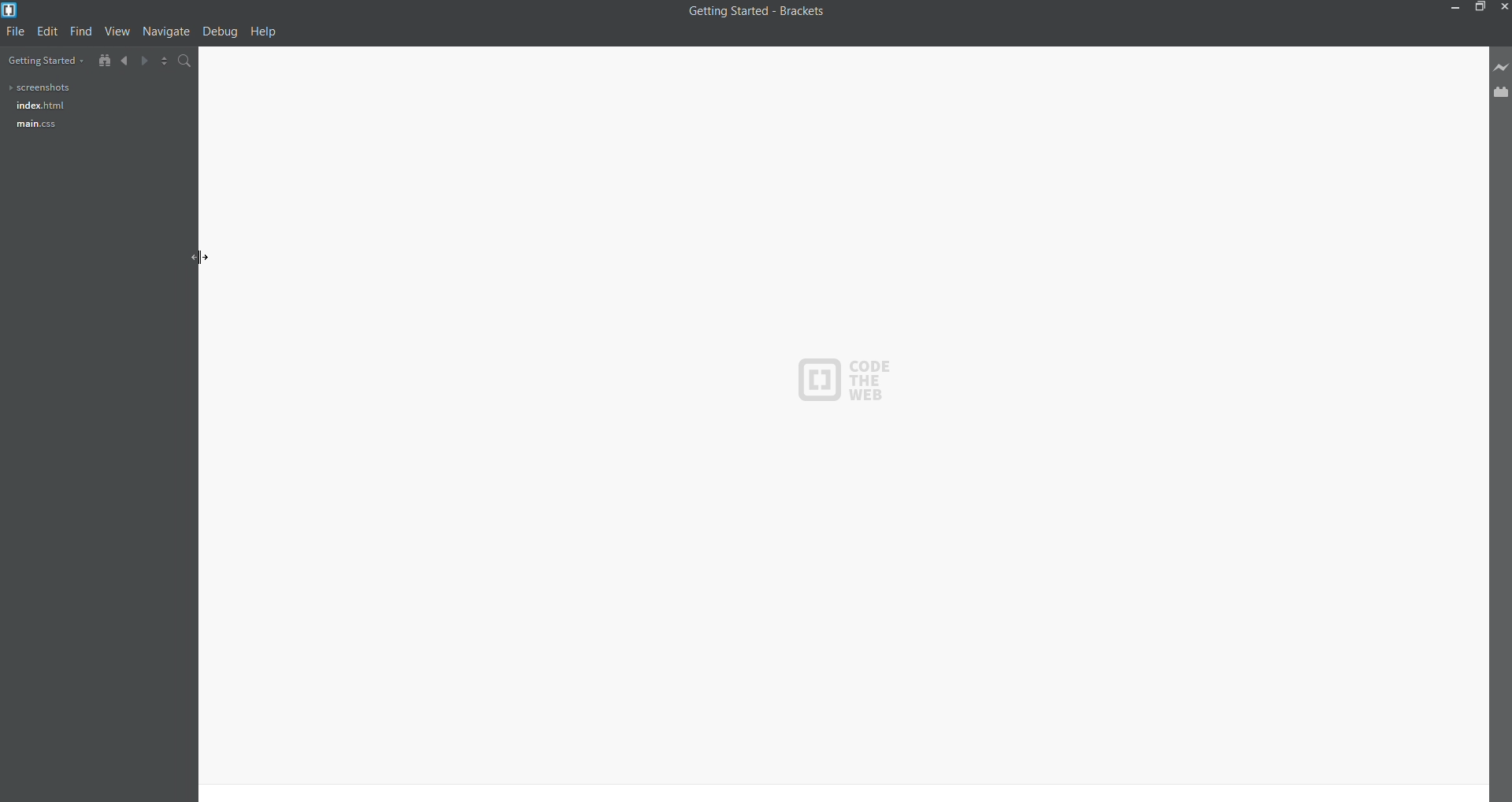 Image resolution: width=1512 pixels, height=802 pixels. Describe the element at coordinates (183, 61) in the screenshot. I see `search` at that location.